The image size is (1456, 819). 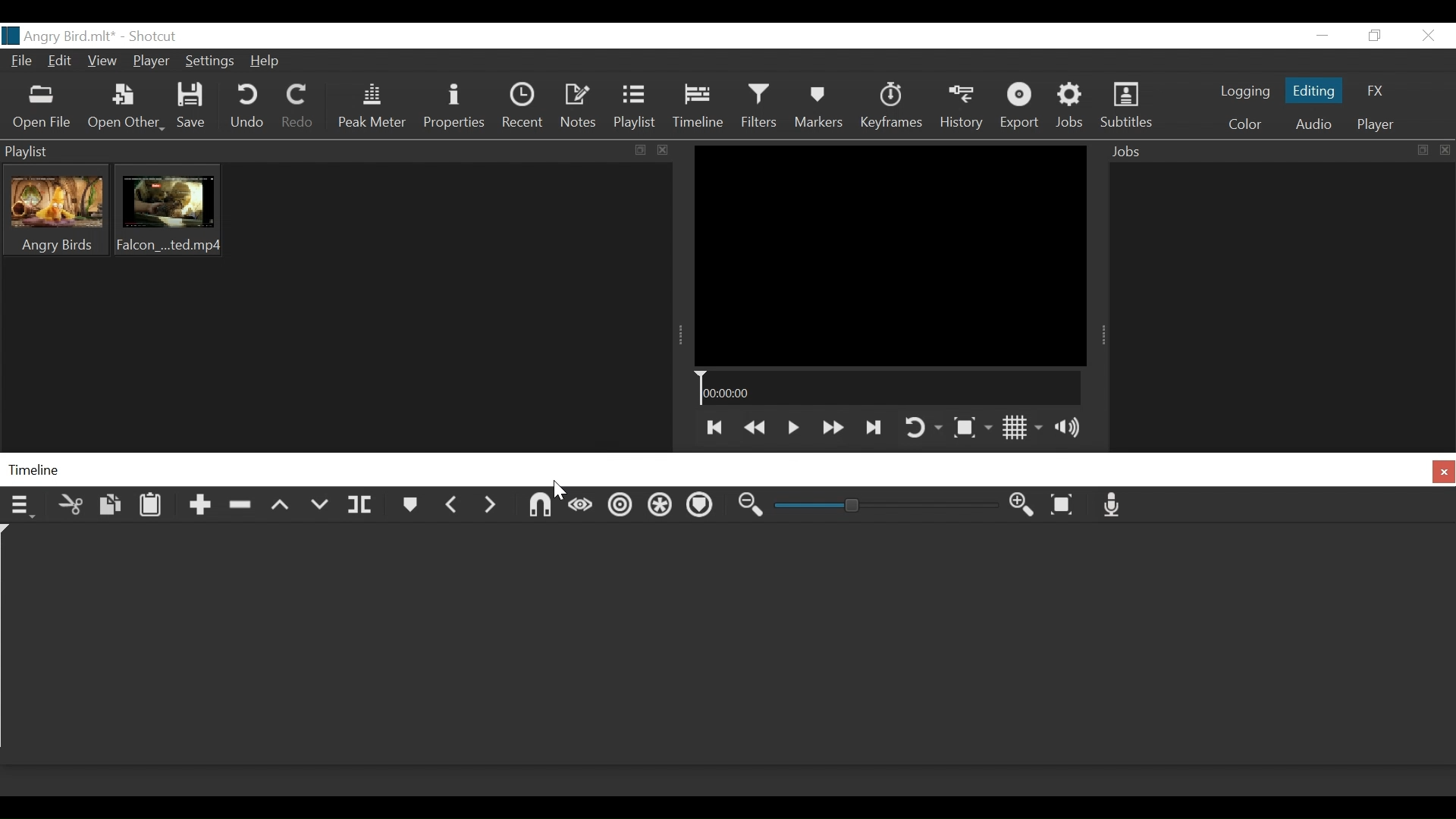 I want to click on FX, so click(x=1373, y=91).